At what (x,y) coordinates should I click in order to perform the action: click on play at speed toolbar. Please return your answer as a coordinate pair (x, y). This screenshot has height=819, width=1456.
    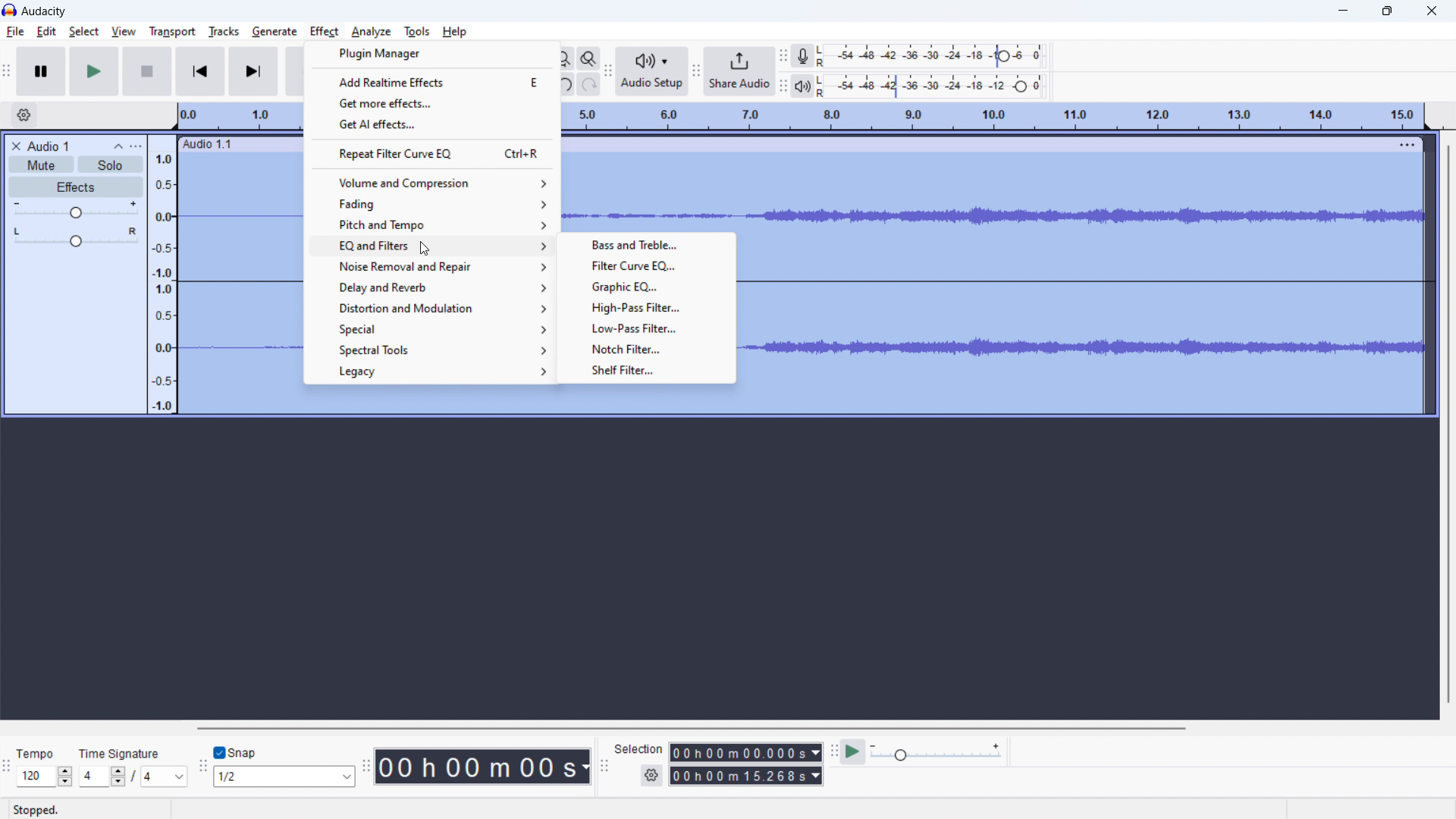
    Looking at the image, I should click on (833, 752).